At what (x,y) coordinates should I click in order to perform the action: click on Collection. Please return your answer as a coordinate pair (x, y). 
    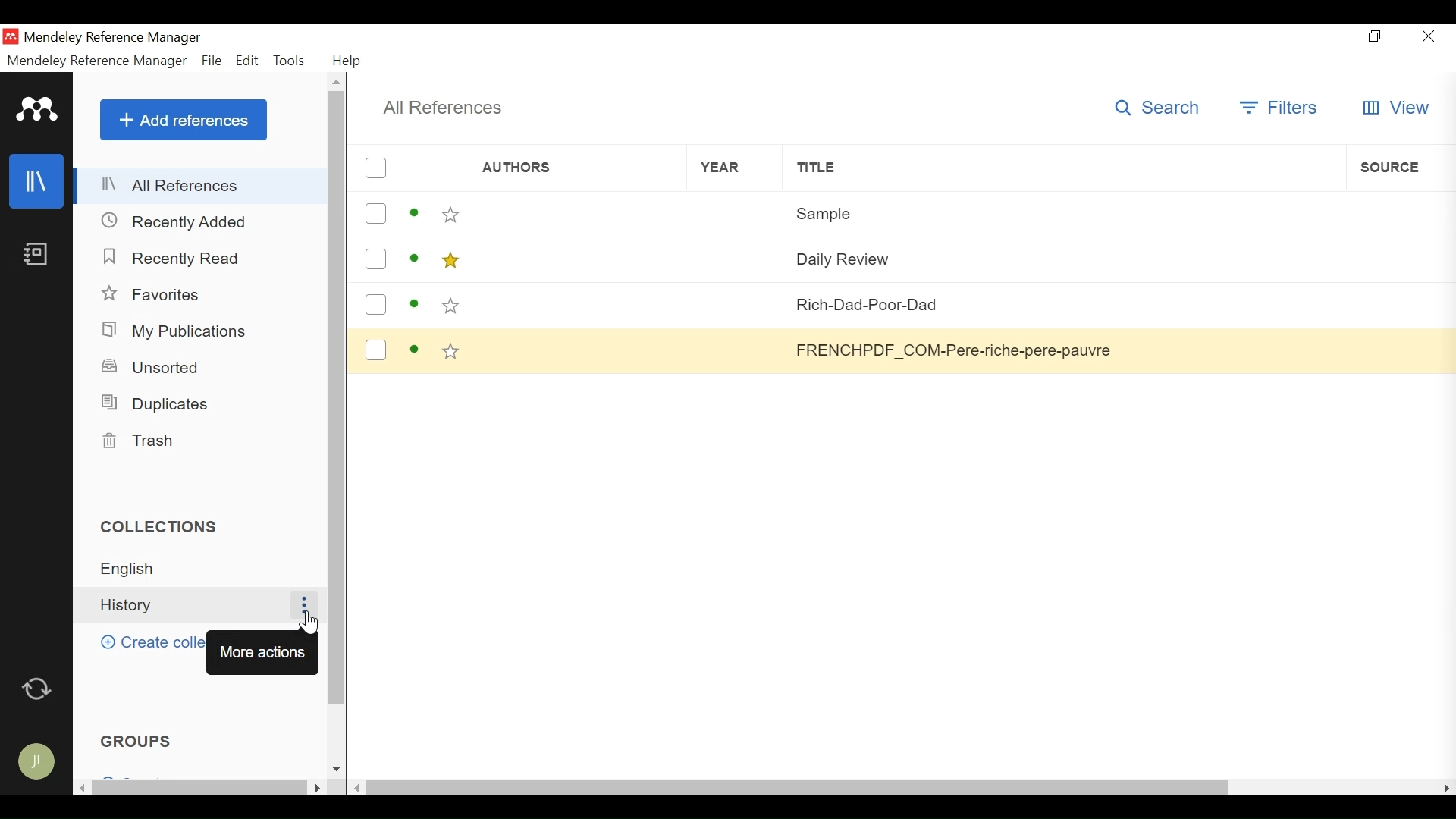
    Looking at the image, I should click on (206, 569).